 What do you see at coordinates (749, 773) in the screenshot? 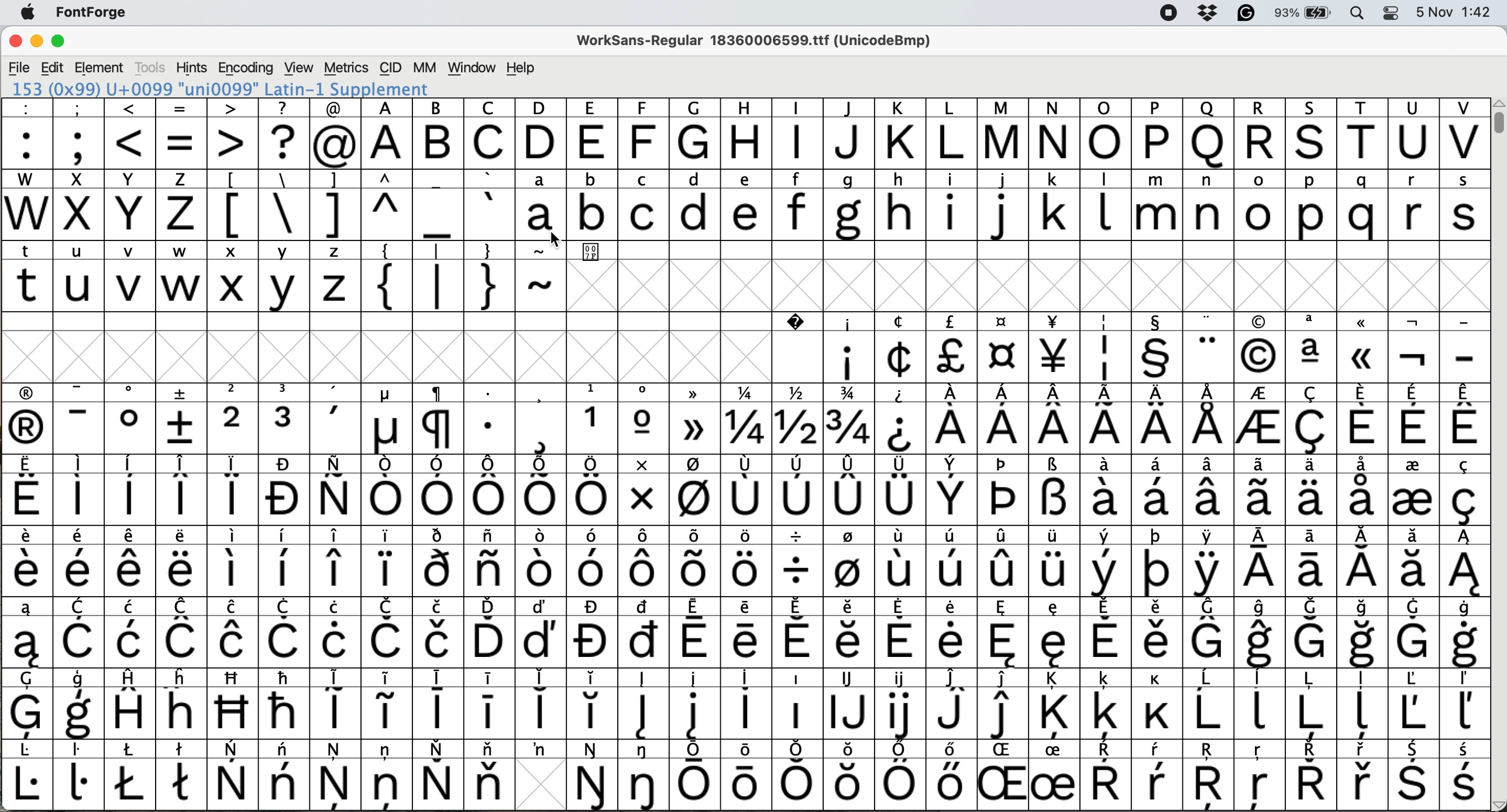
I see `symbol` at bounding box center [749, 773].